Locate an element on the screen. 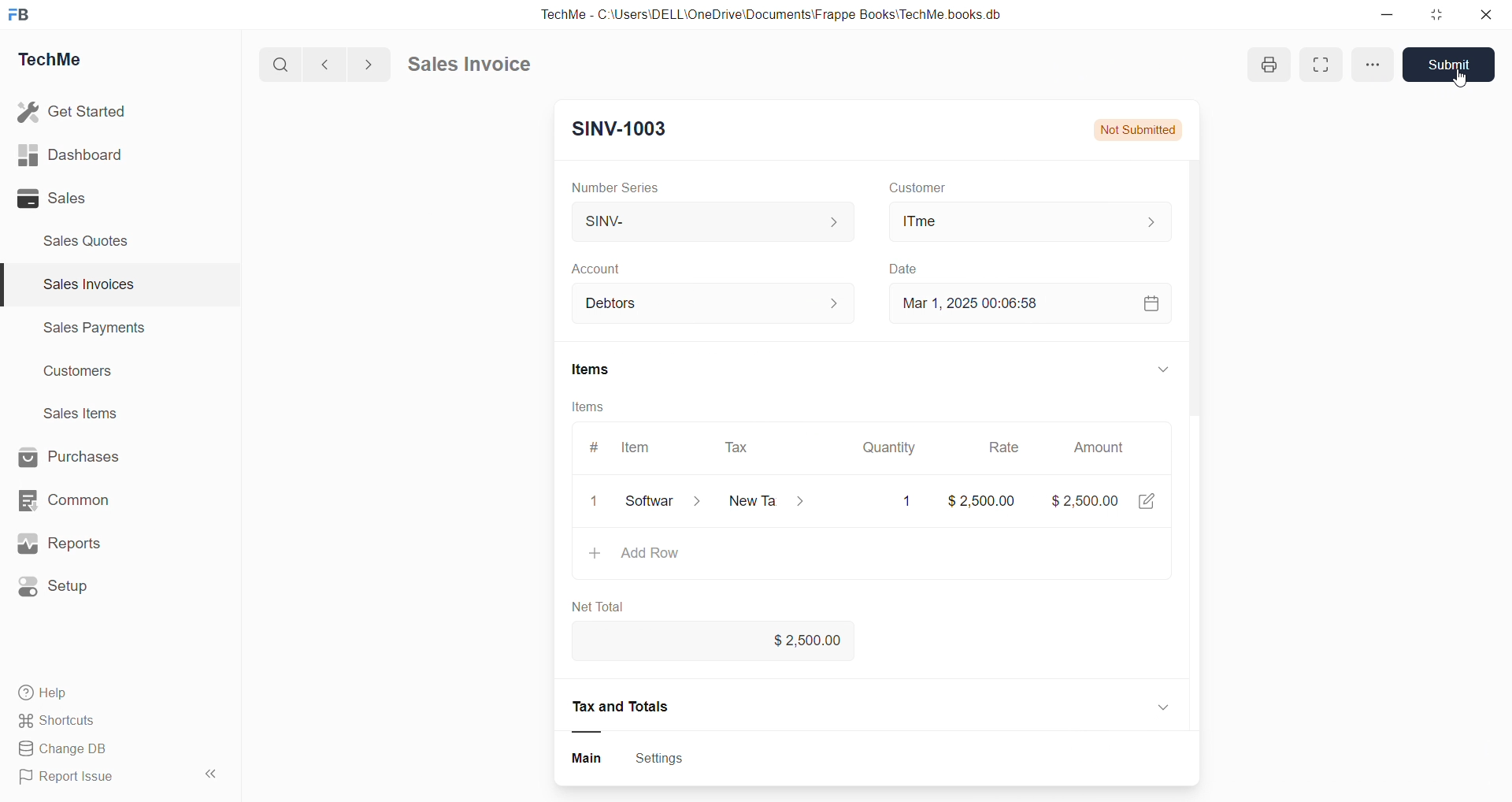 Image resolution: width=1512 pixels, height=802 pixels. ws Reports is located at coordinates (74, 544).